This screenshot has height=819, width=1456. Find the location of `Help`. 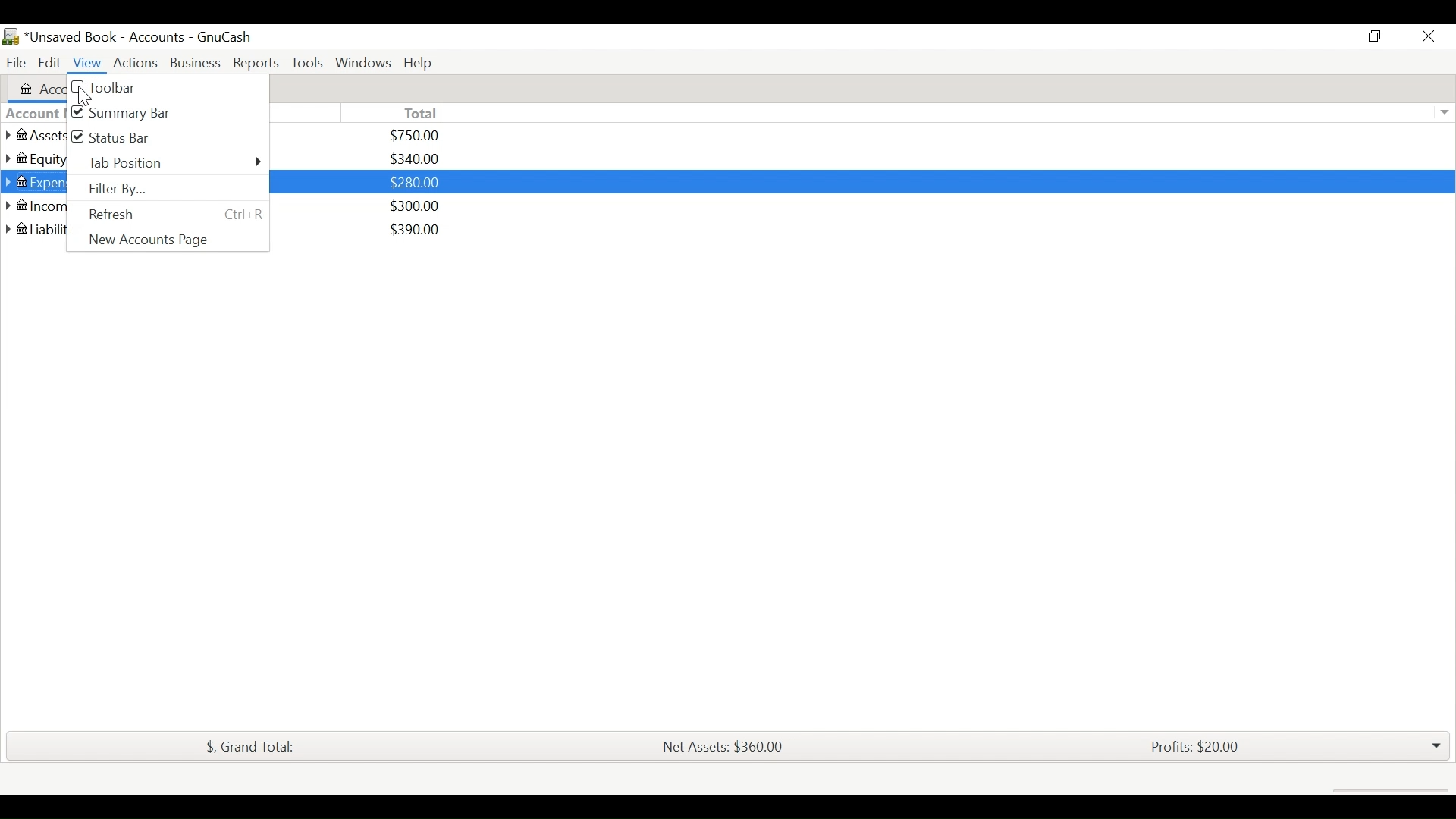

Help is located at coordinates (421, 63).